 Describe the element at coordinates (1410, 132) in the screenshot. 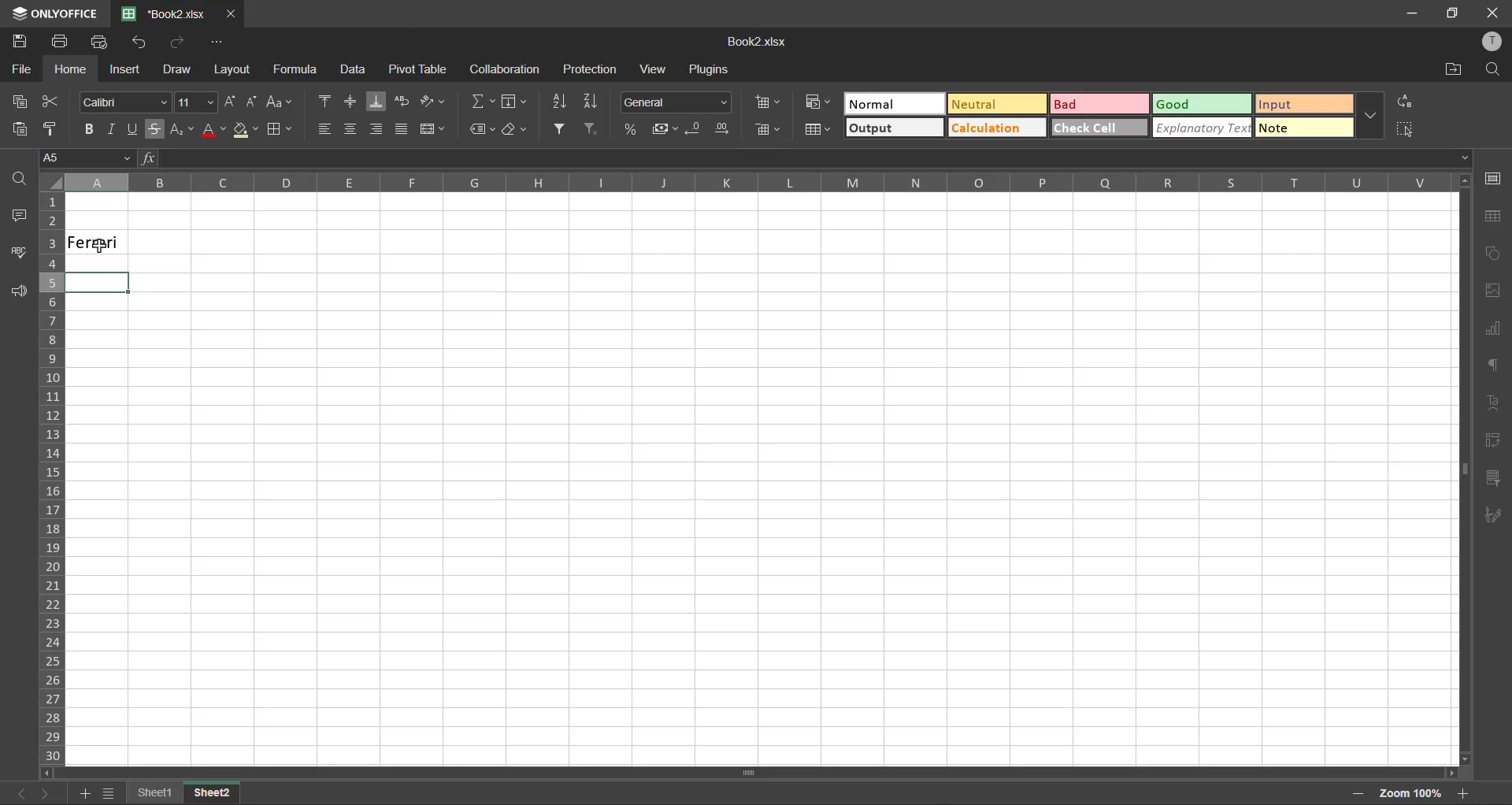

I see `select cell` at that location.